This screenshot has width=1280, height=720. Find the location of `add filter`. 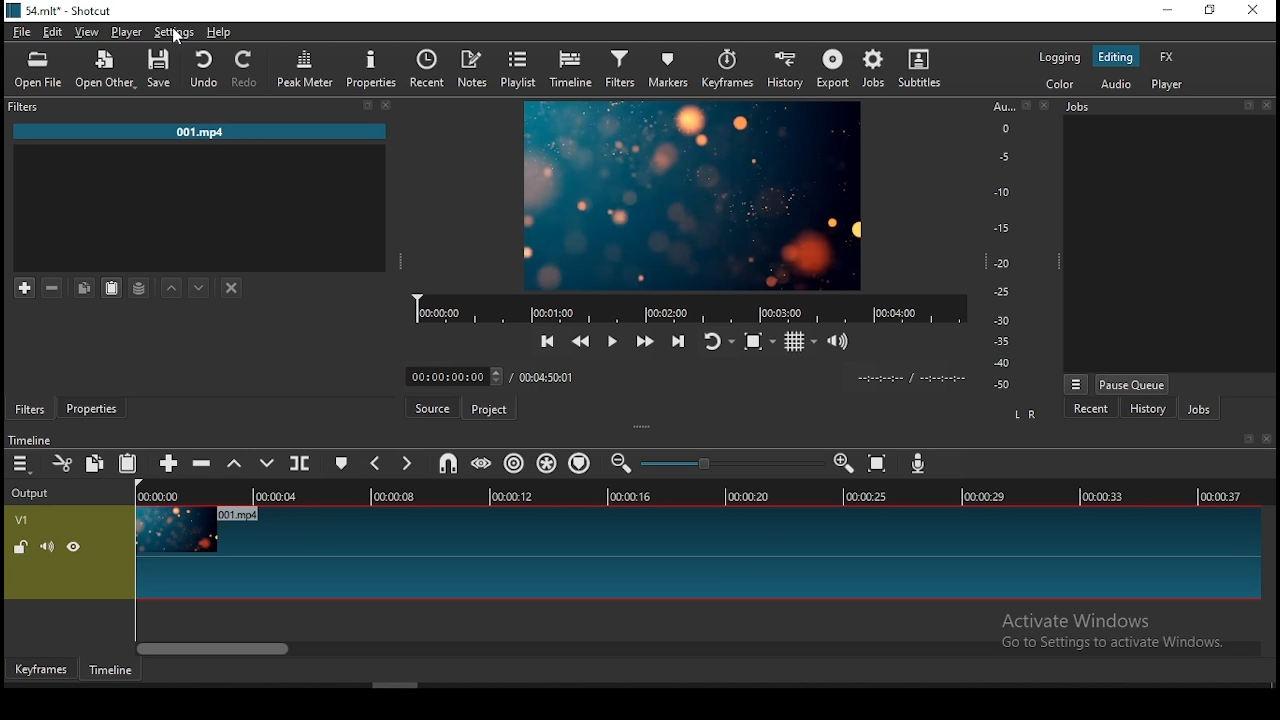

add filter is located at coordinates (25, 289).